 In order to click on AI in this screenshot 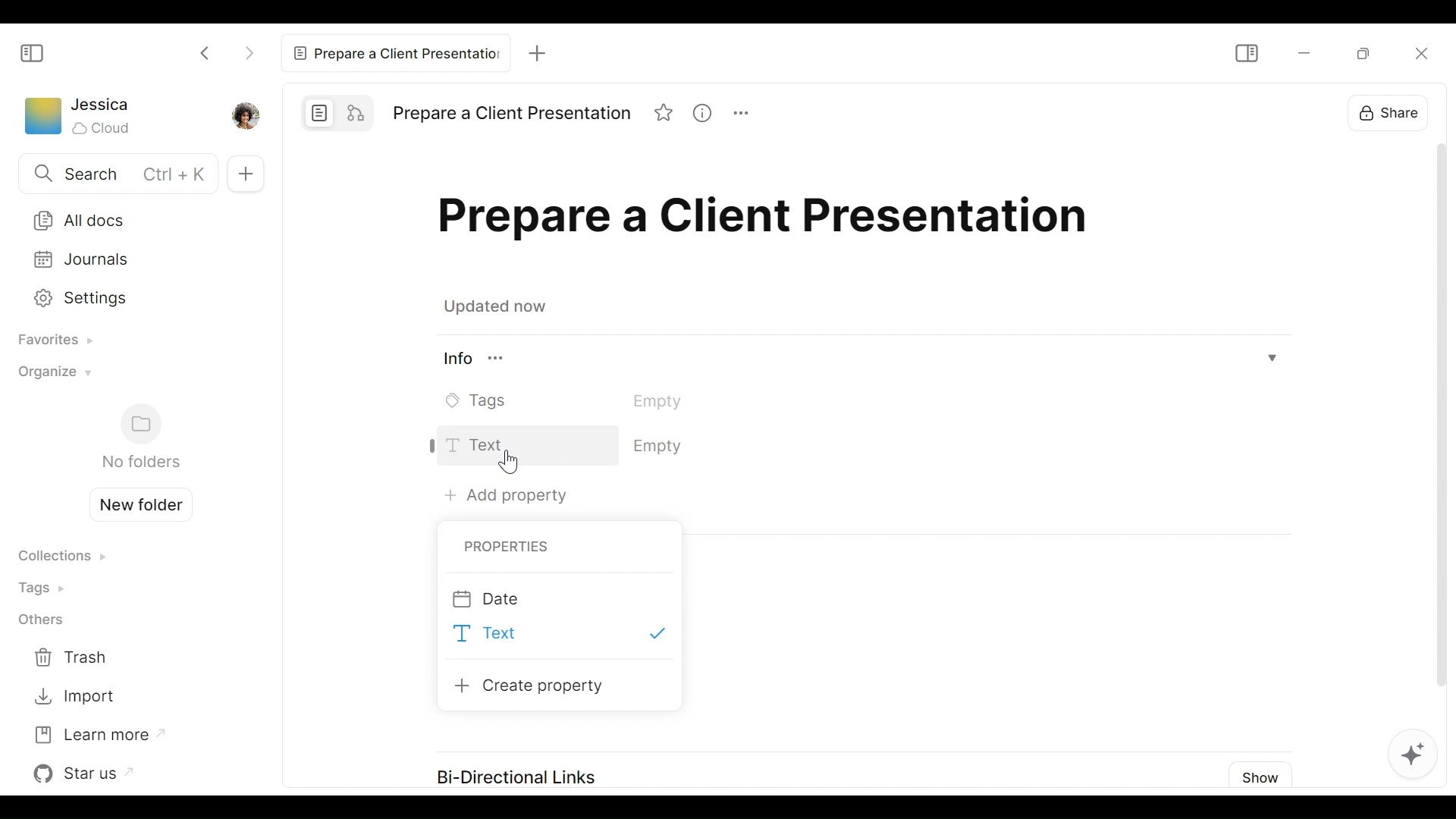, I will do `click(1412, 755)`.